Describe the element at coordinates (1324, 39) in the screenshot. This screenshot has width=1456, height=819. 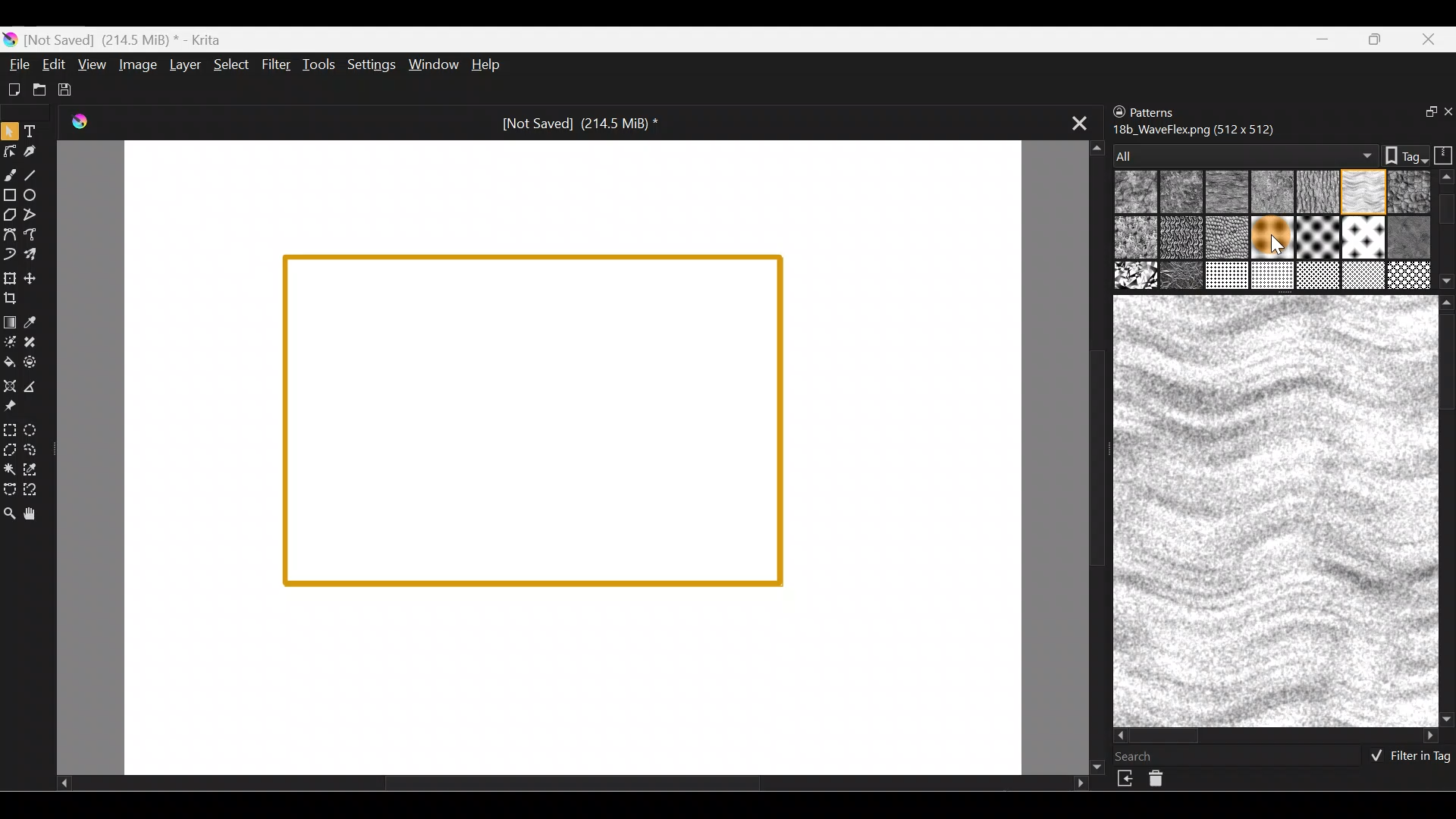
I see `Minimize` at that location.